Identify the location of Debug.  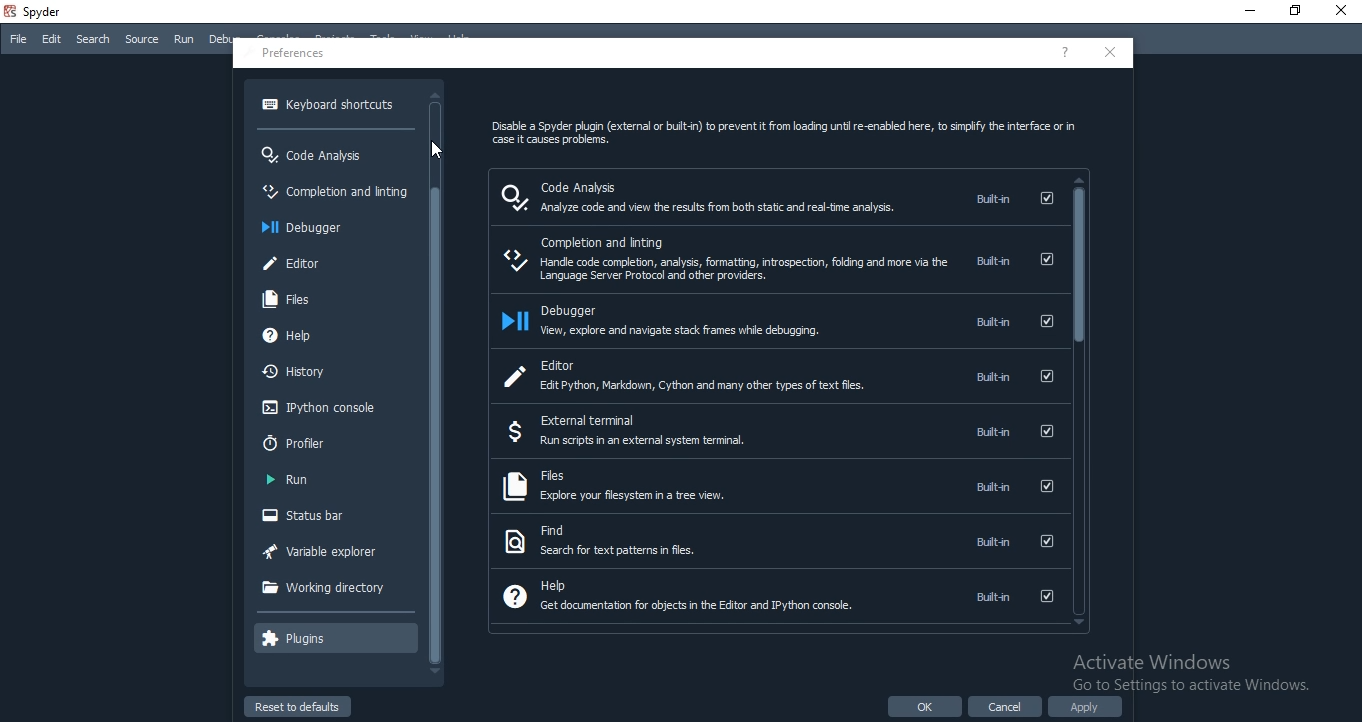
(225, 40).